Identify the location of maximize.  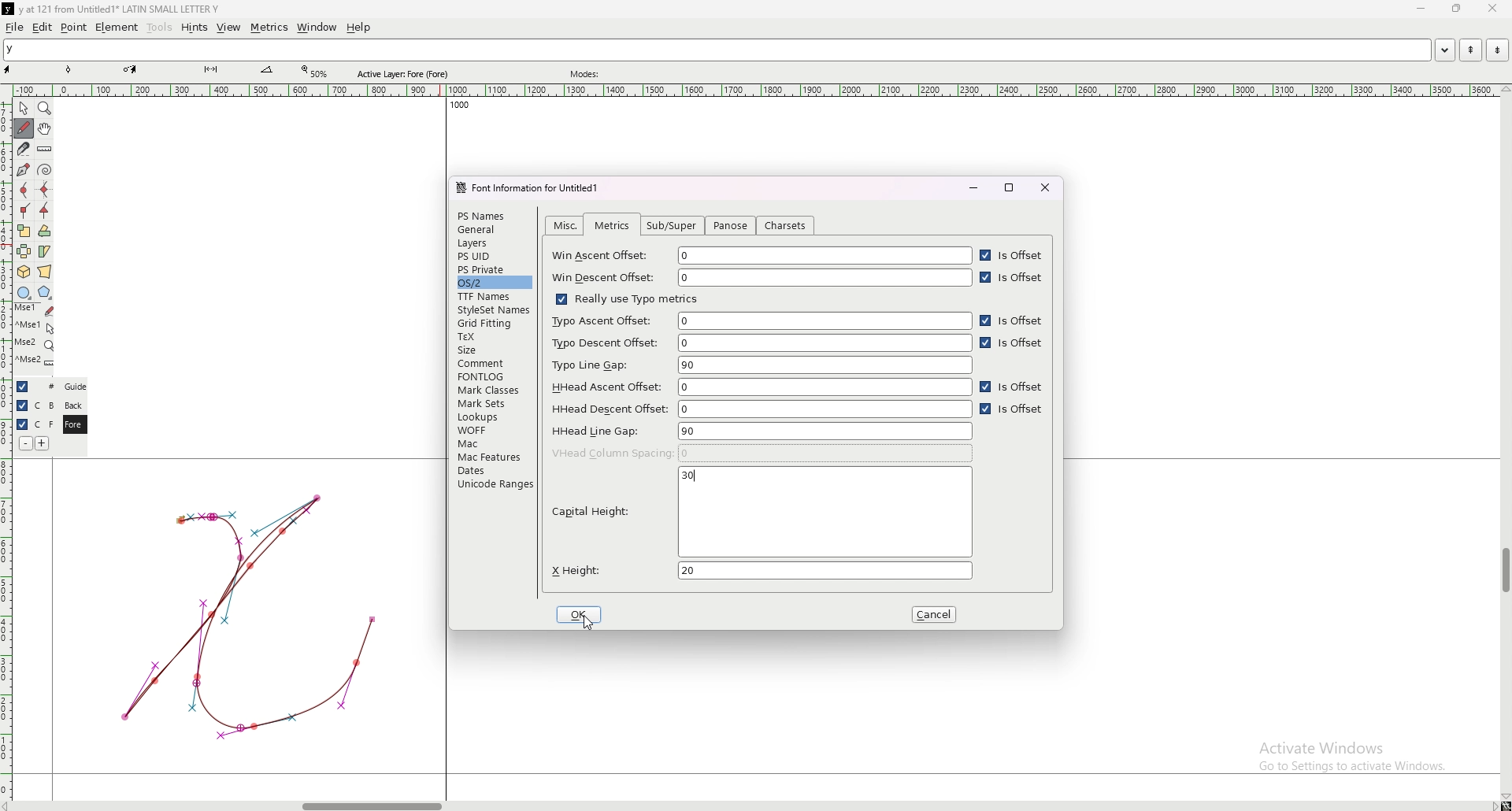
(1010, 187).